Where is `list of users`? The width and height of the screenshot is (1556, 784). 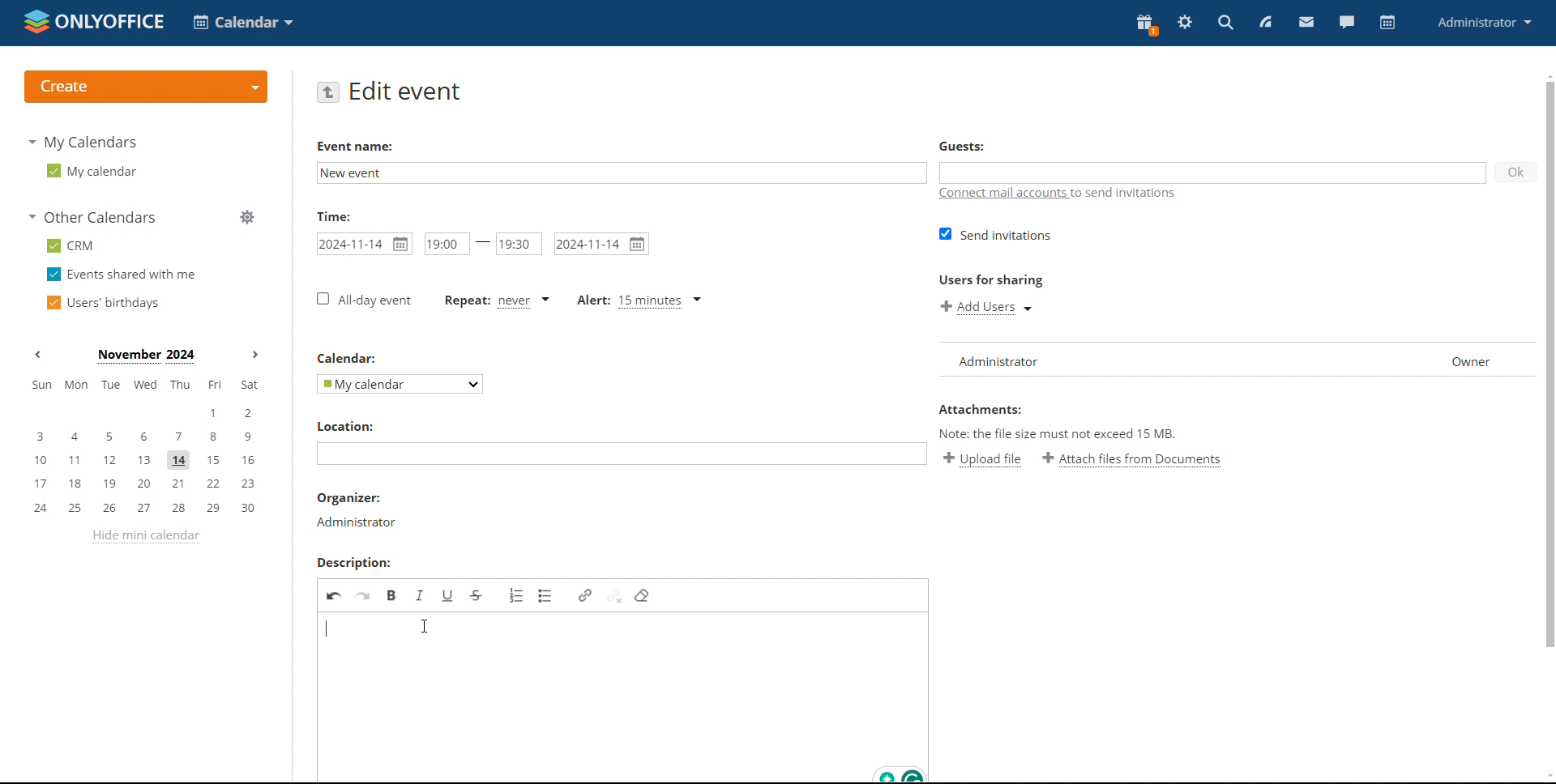
list of users is located at coordinates (1235, 359).